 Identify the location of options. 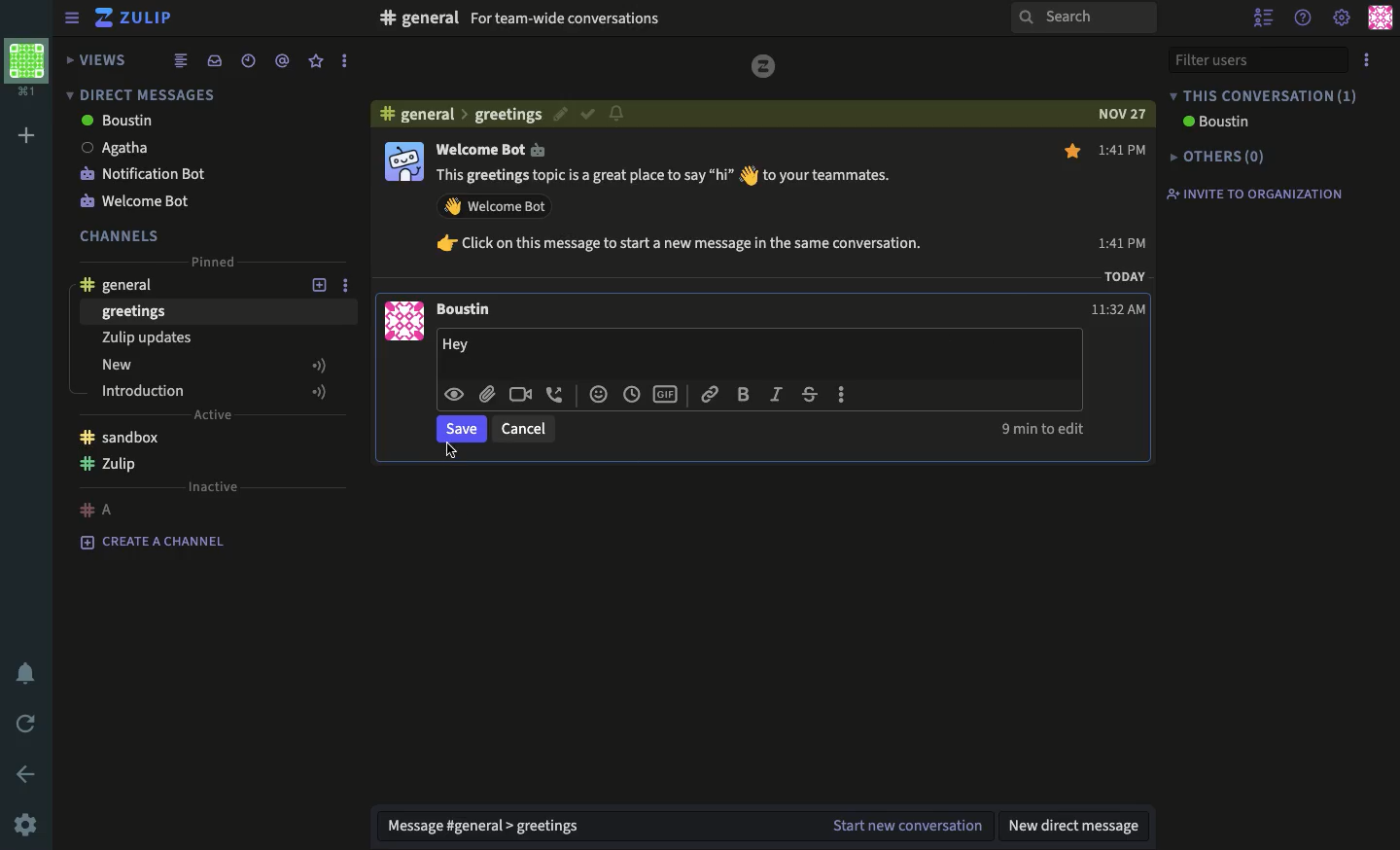
(1367, 59).